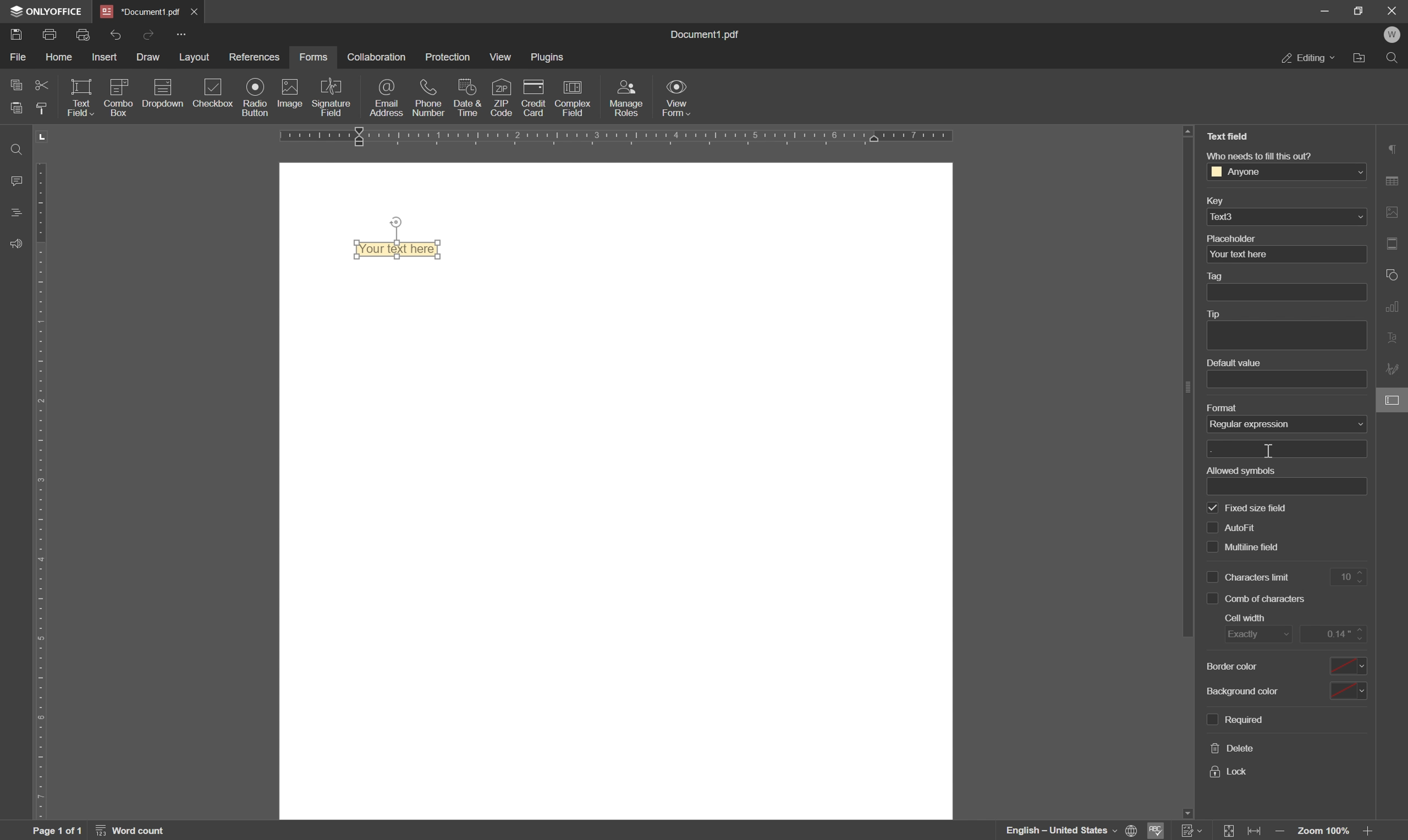  I want to click on characters limit, so click(1260, 577).